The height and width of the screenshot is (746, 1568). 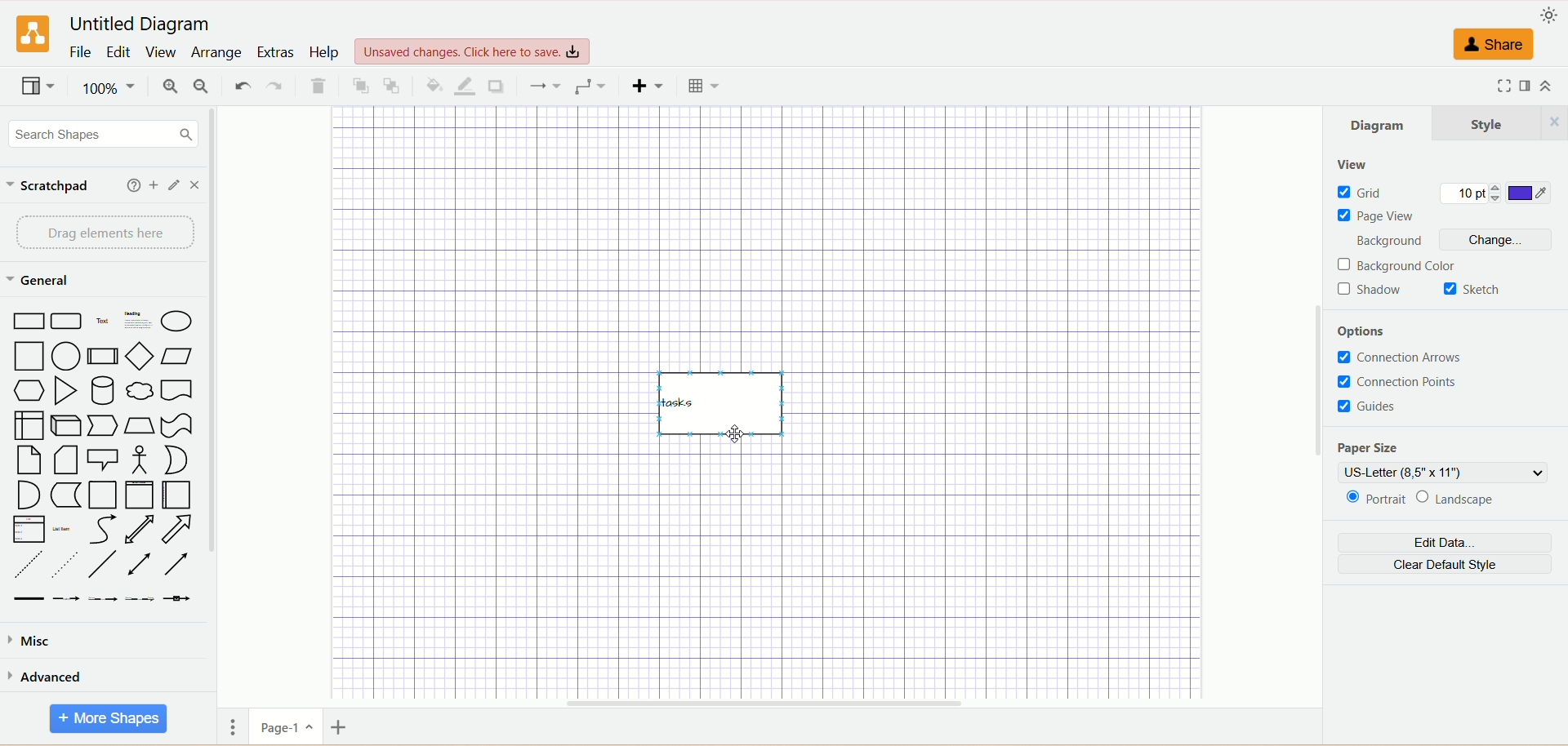 What do you see at coordinates (140, 461) in the screenshot?
I see `Stick Figure` at bounding box center [140, 461].